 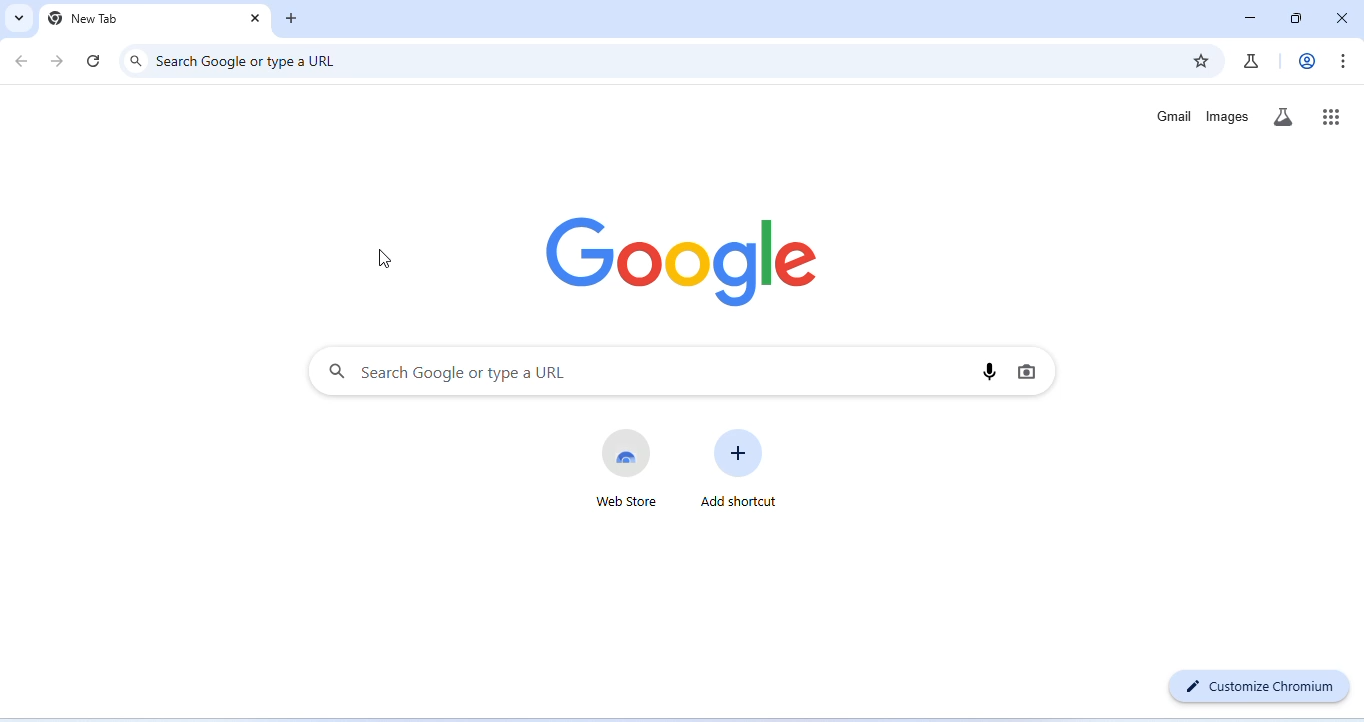 I want to click on add book marks, so click(x=1200, y=60).